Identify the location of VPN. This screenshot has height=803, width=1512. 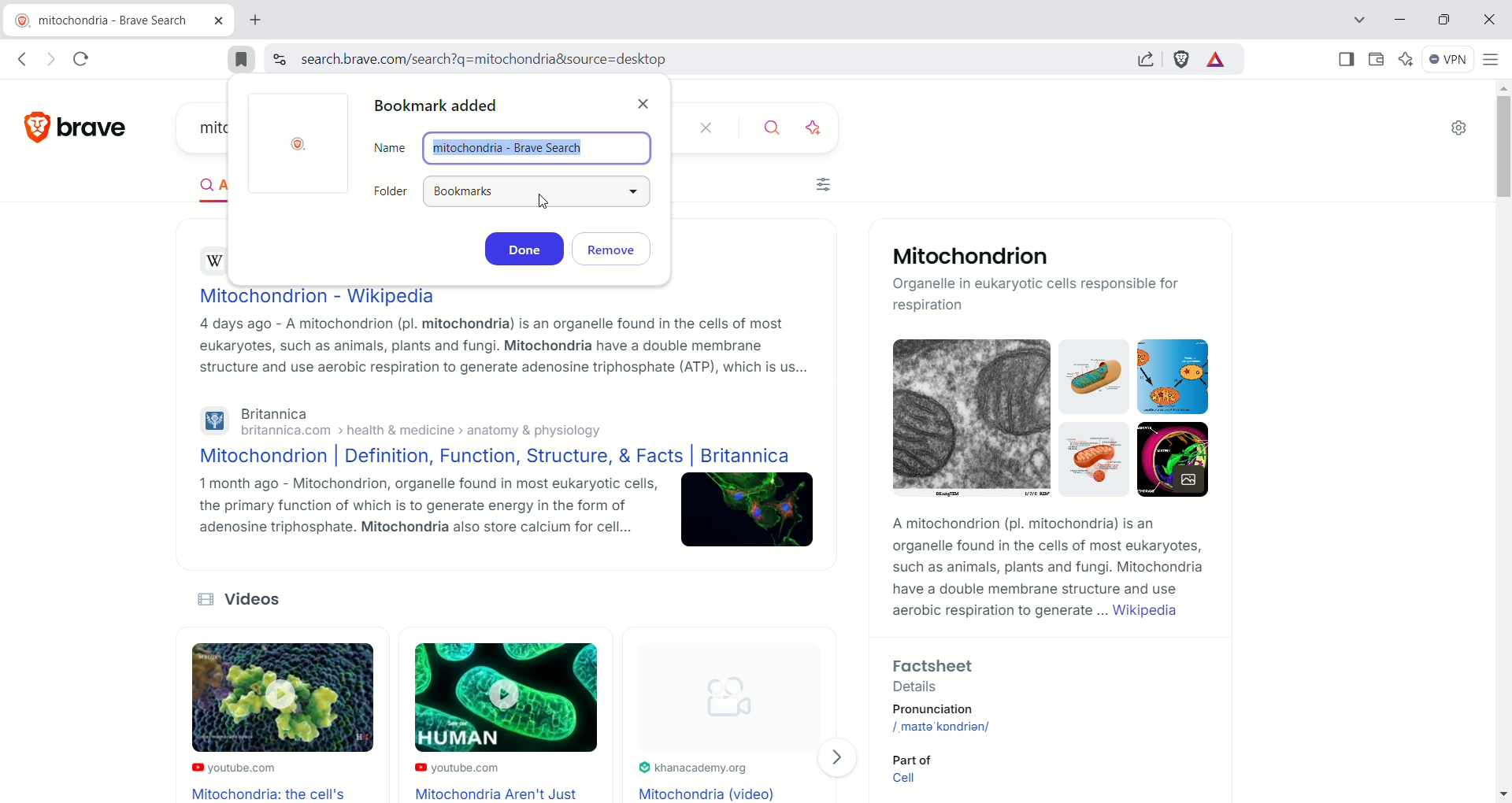
(1451, 60).